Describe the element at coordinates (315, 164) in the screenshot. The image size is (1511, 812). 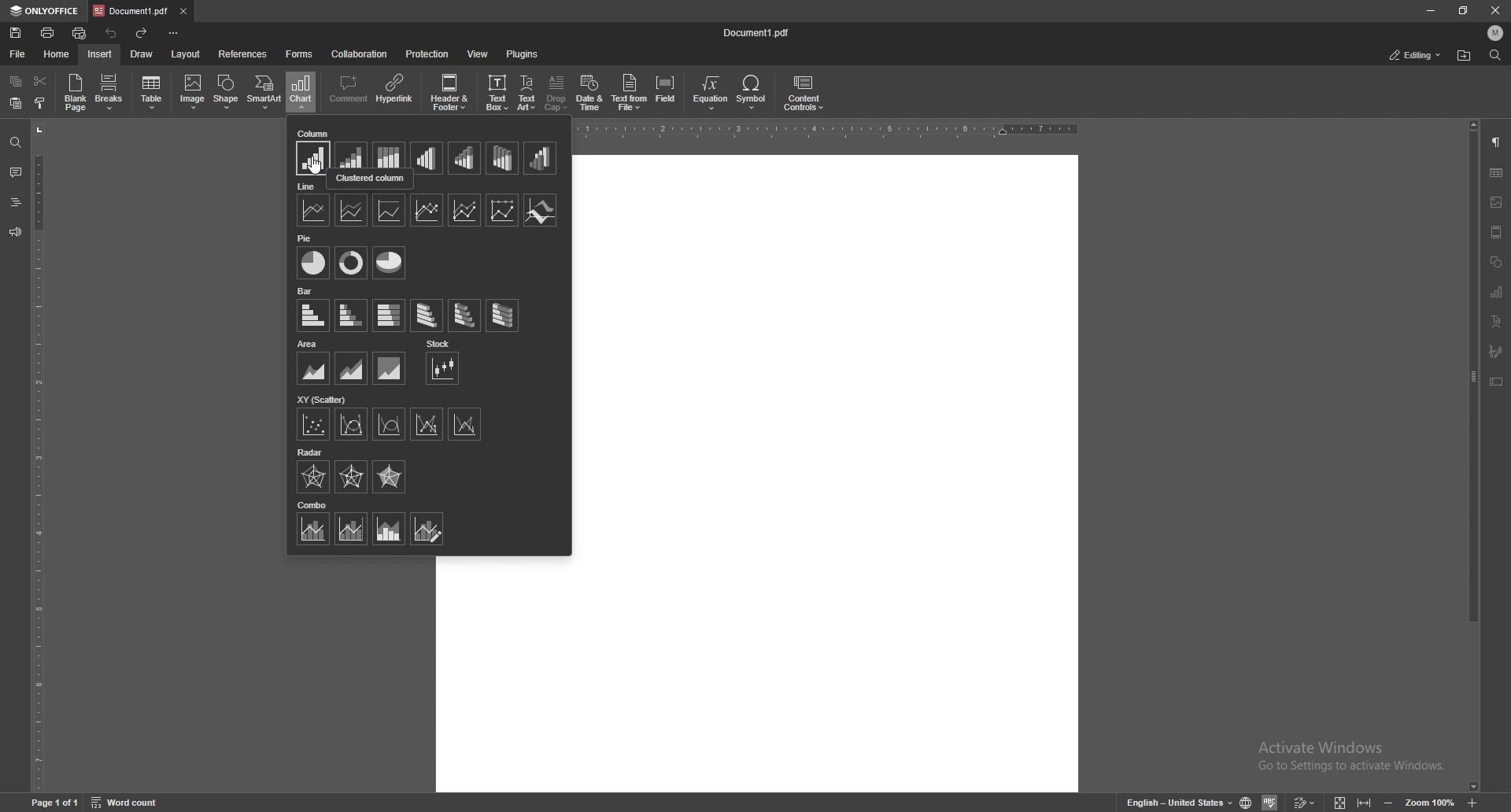
I see `cursor` at that location.